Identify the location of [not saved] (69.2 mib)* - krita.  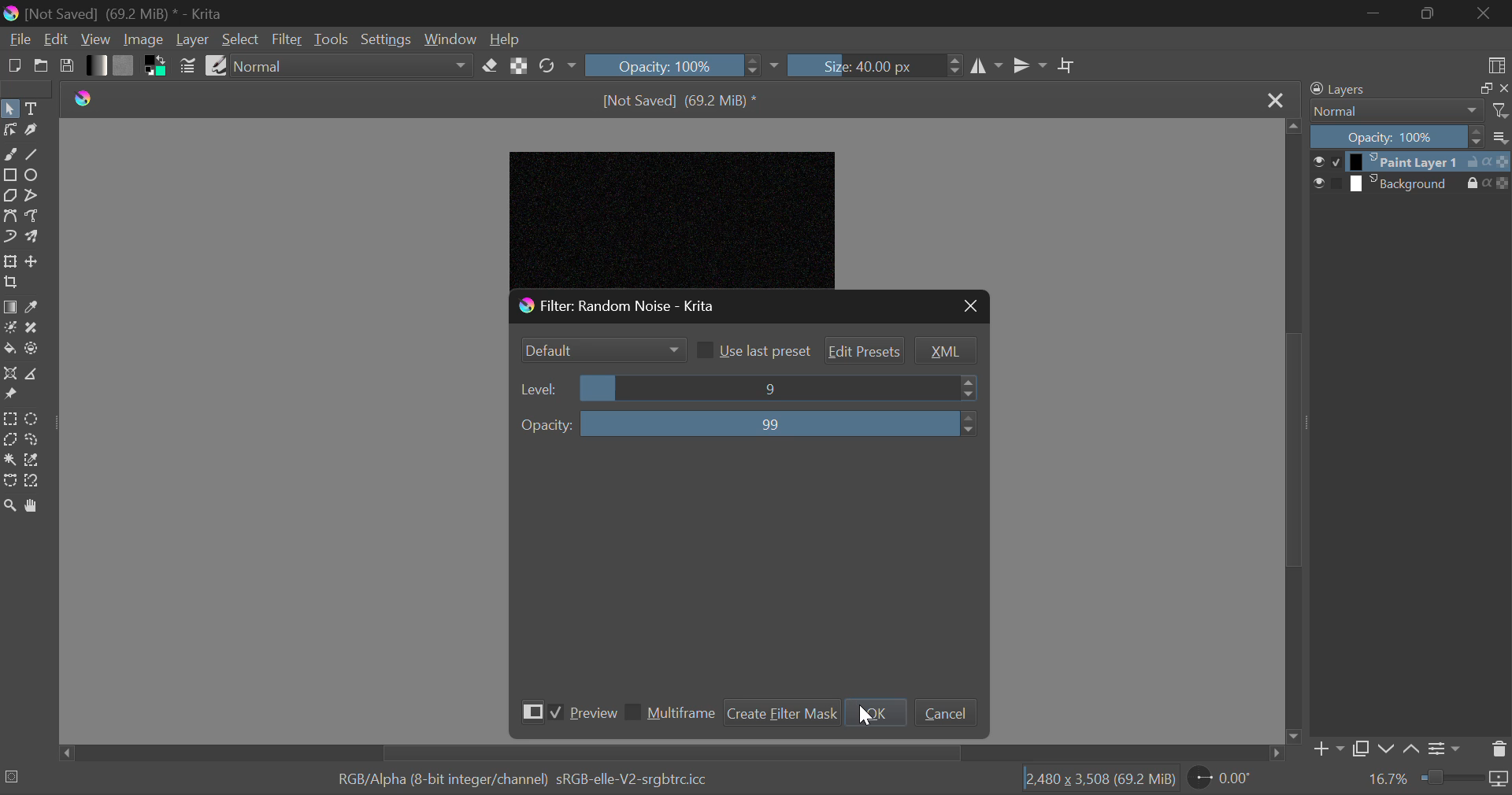
(119, 13).